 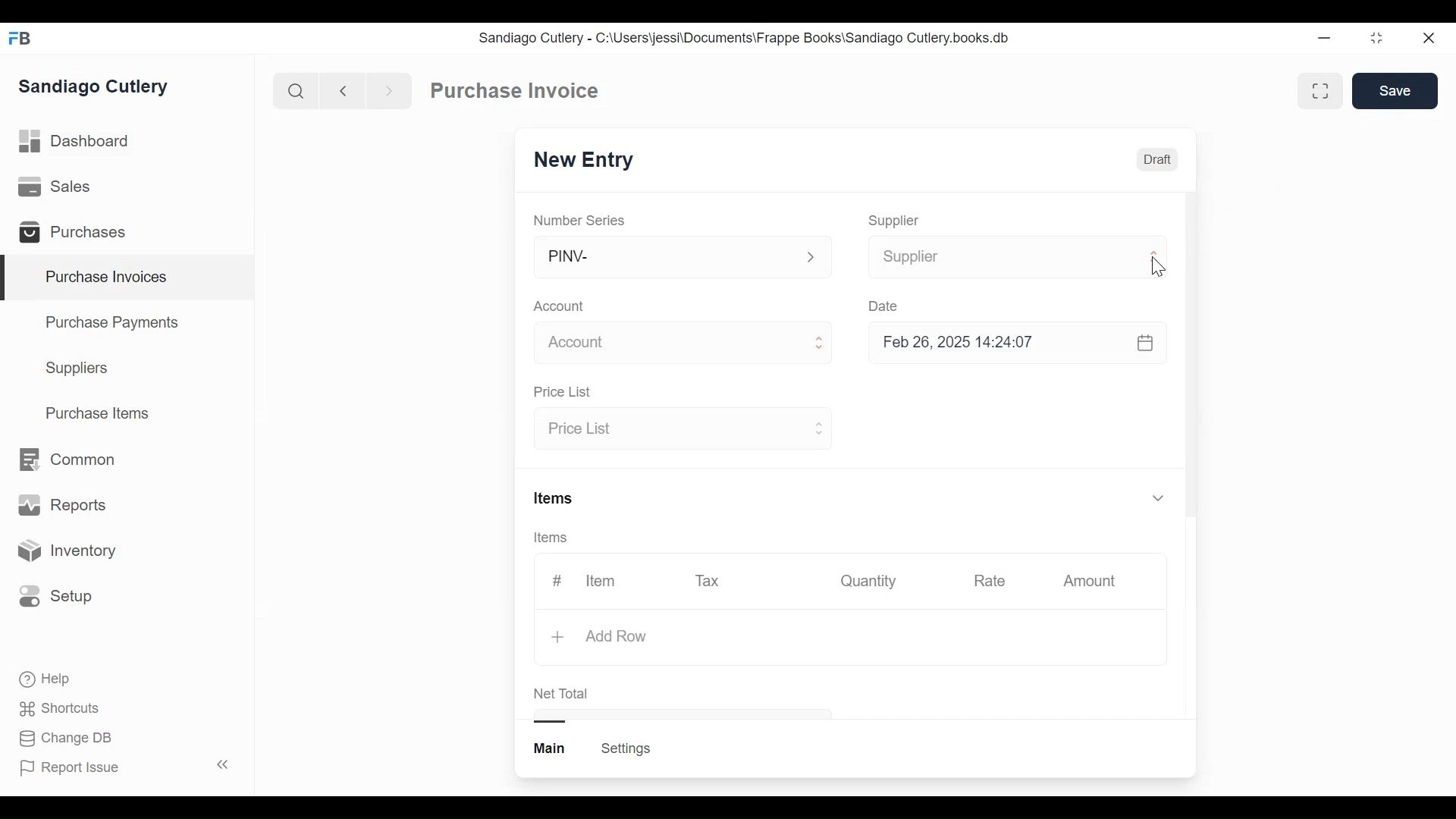 I want to click on Report Issue, so click(x=124, y=767).